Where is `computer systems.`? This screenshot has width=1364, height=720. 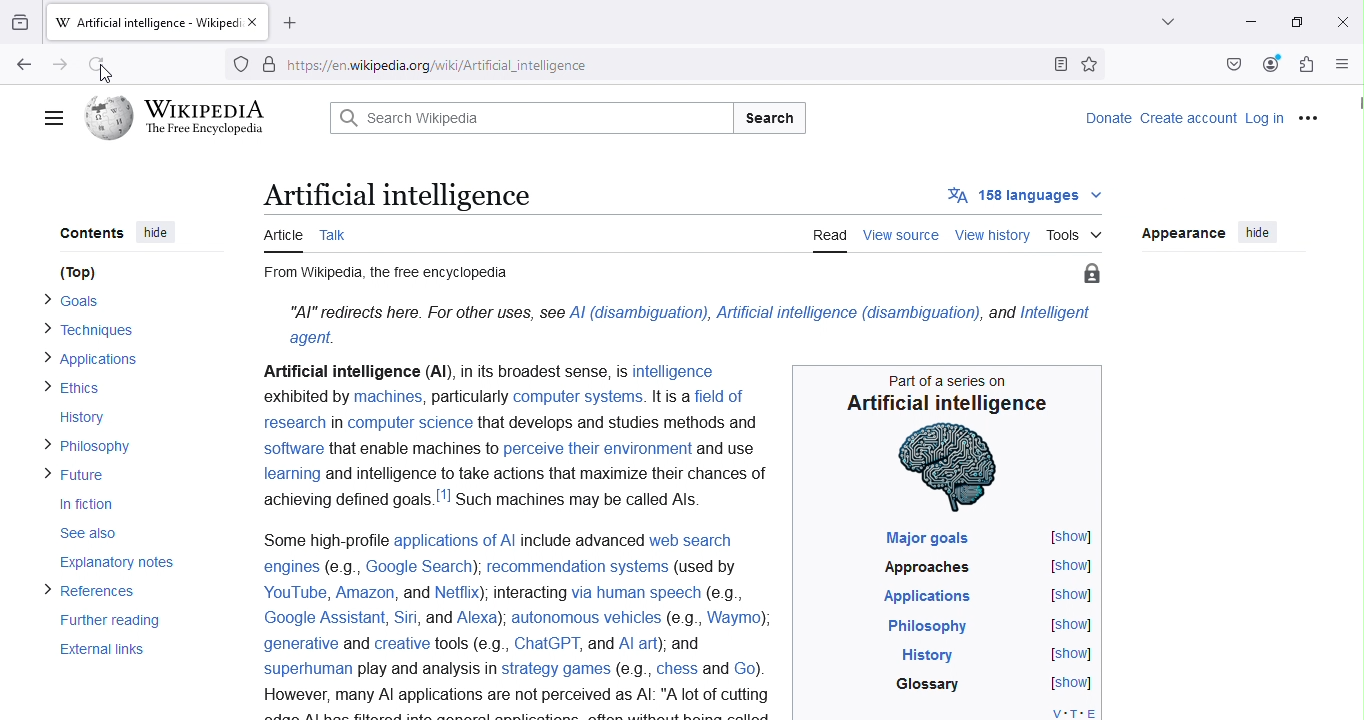
computer systems. is located at coordinates (581, 399).